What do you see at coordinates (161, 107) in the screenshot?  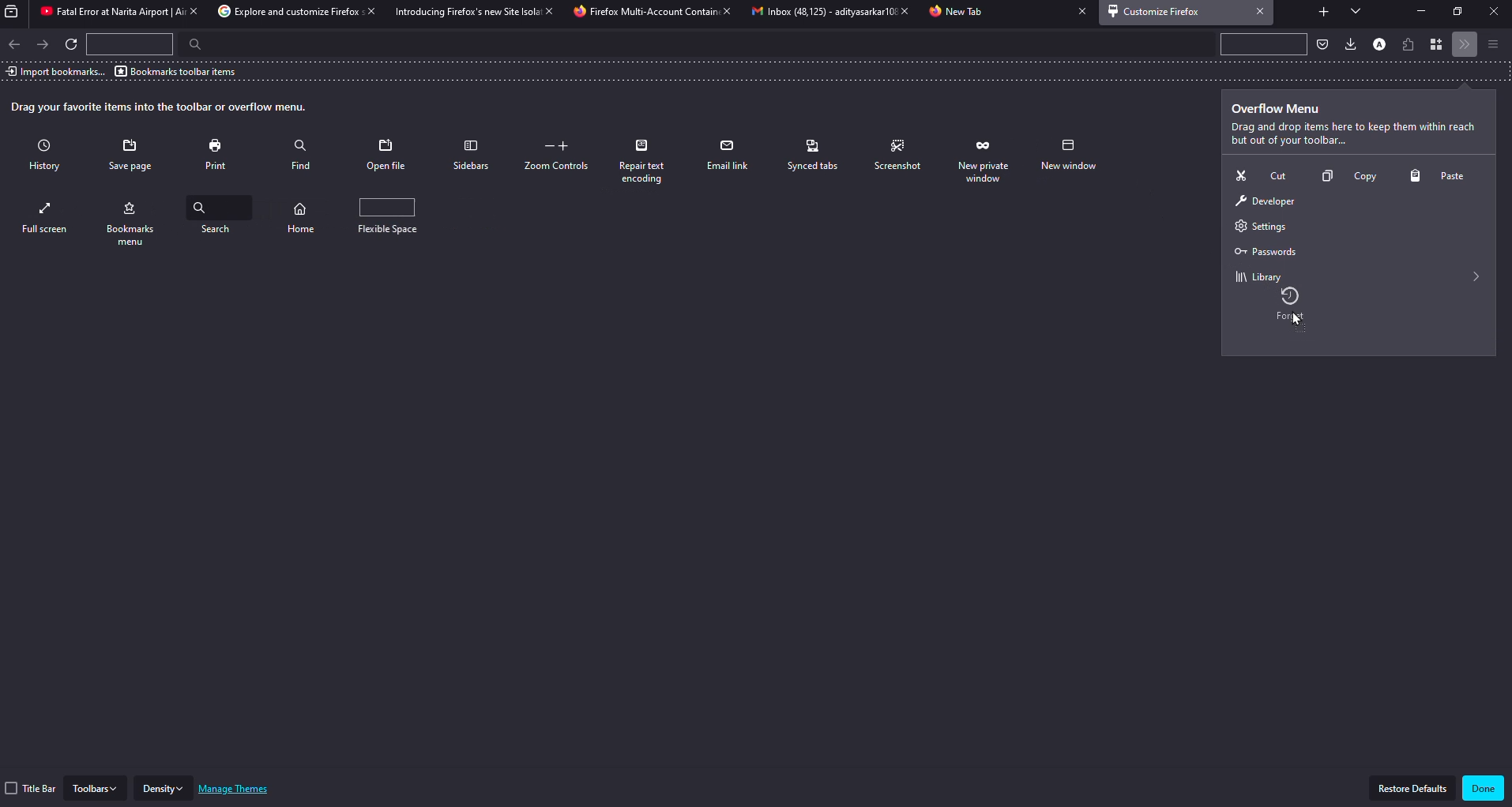 I see `drag` at bounding box center [161, 107].